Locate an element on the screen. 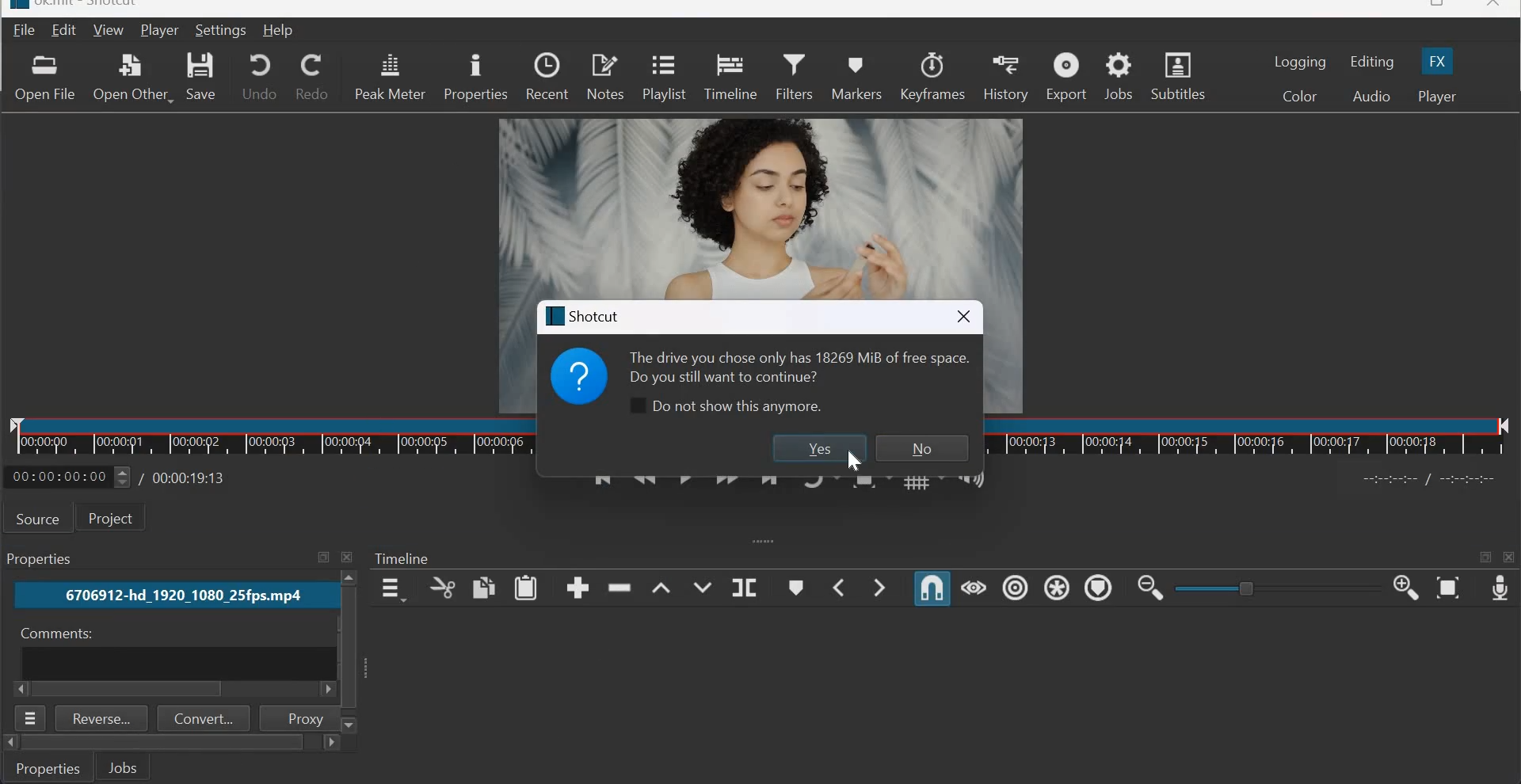 The height and width of the screenshot is (784, 1521). Record Audio is located at coordinates (1499, 590).